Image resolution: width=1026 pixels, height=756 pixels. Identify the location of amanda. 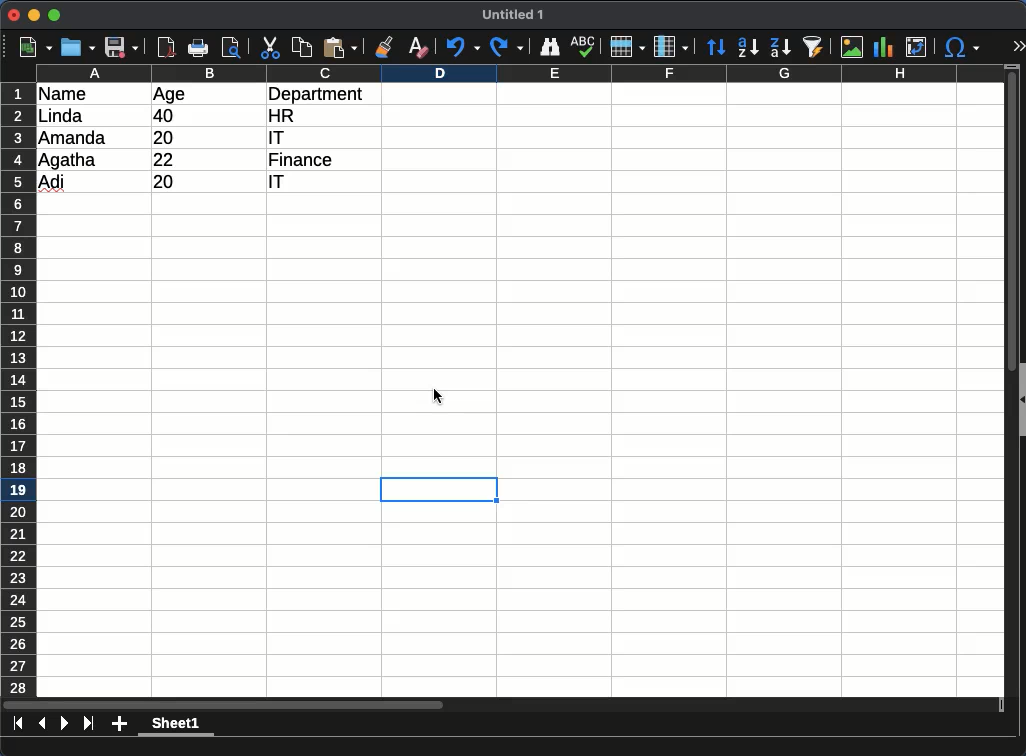
(74, 137).